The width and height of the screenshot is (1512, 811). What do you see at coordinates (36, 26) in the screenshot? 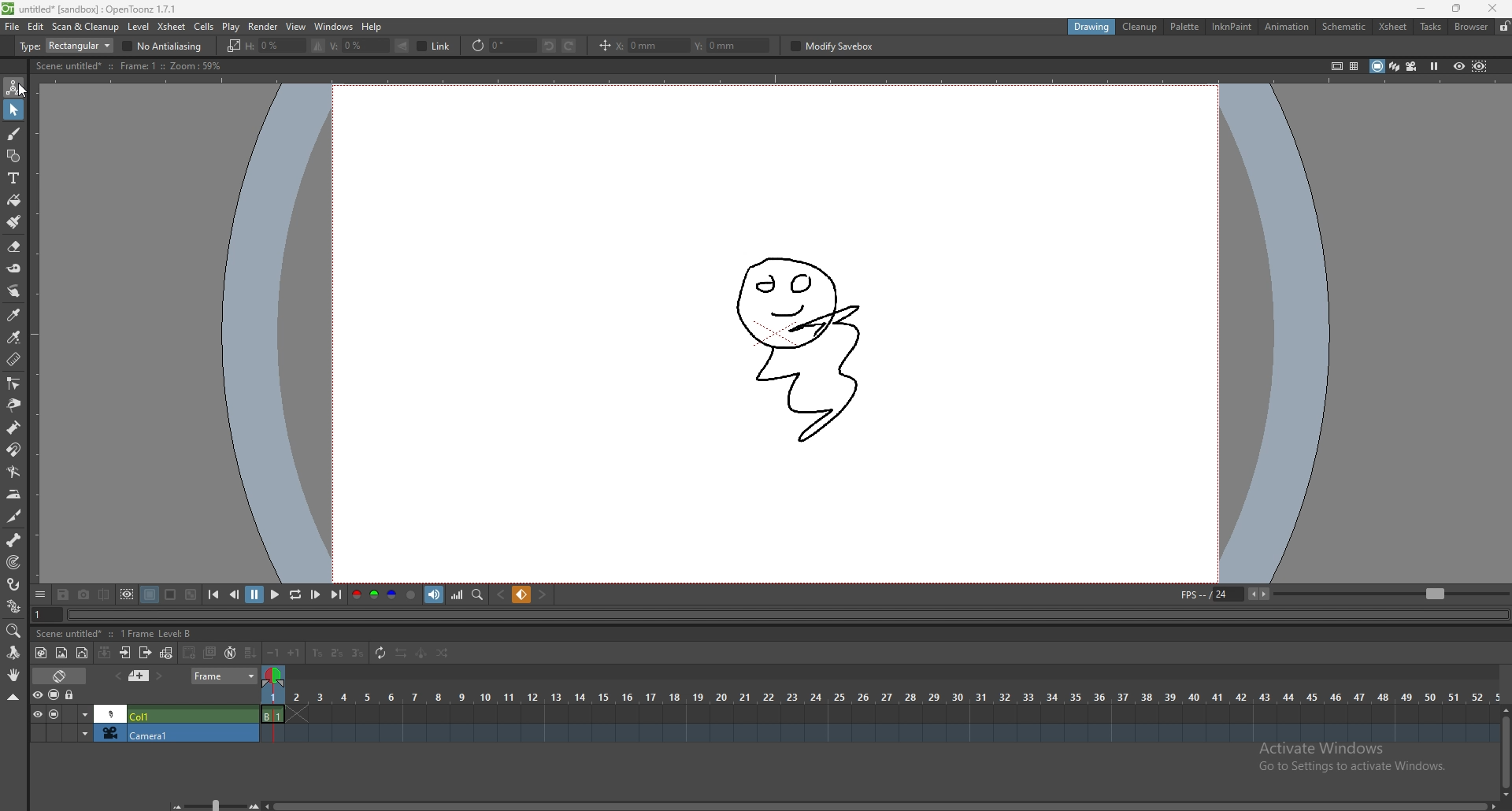
I see `edit` at bounding box center [36, 26].